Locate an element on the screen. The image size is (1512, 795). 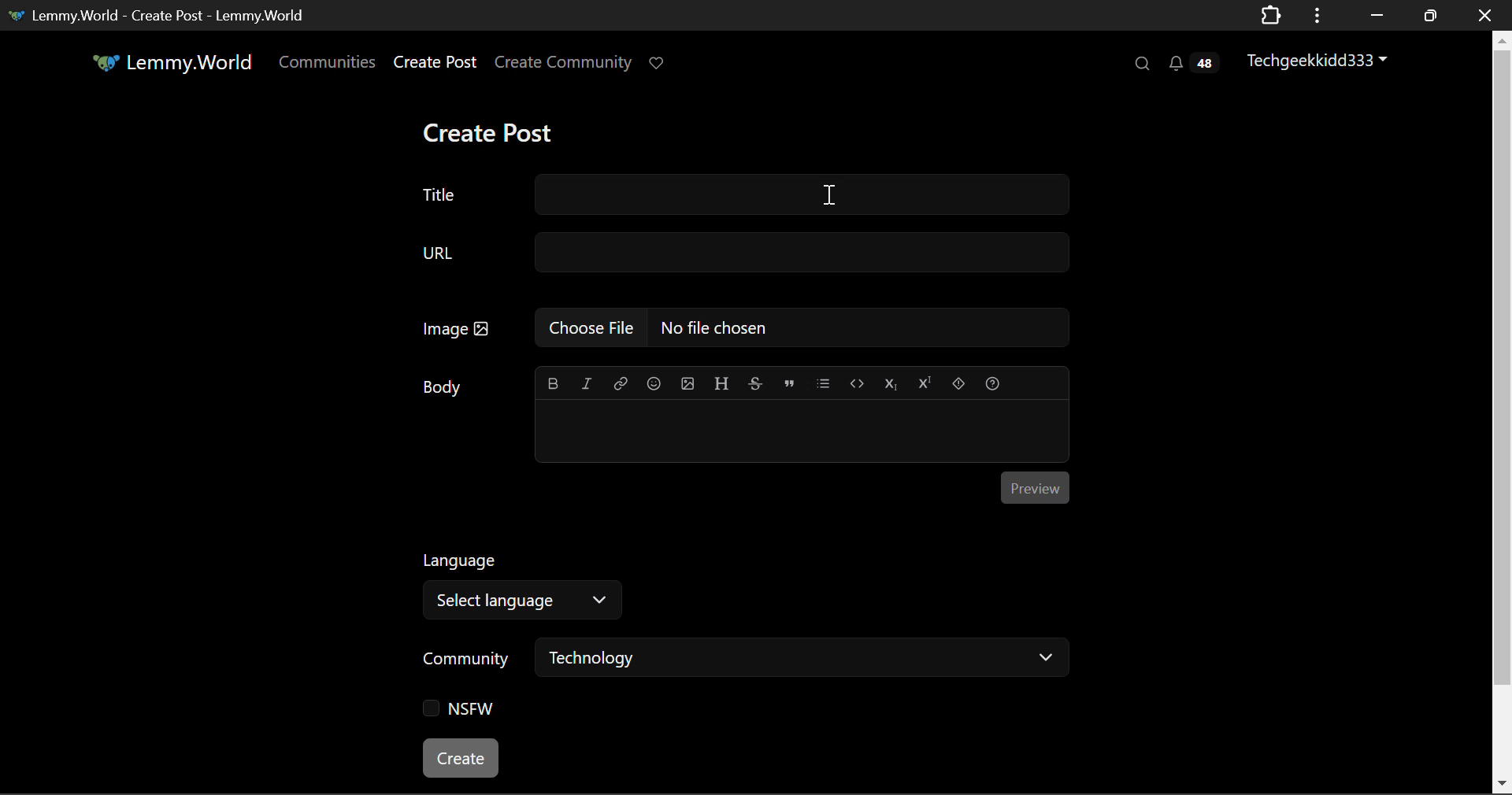
list is located at coordinates (825, 381).